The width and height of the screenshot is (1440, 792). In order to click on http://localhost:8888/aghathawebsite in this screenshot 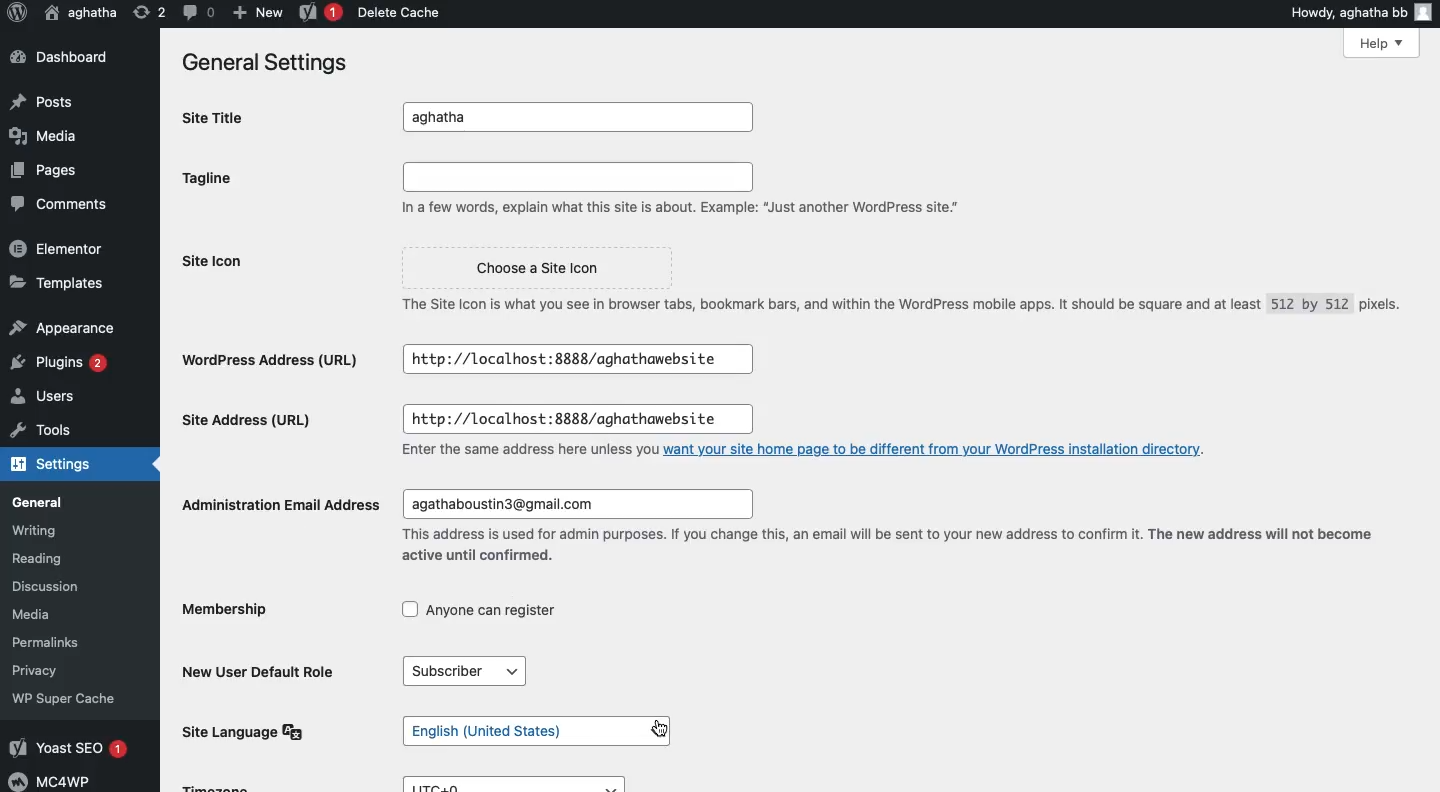, I will do `click(568, 420)`.